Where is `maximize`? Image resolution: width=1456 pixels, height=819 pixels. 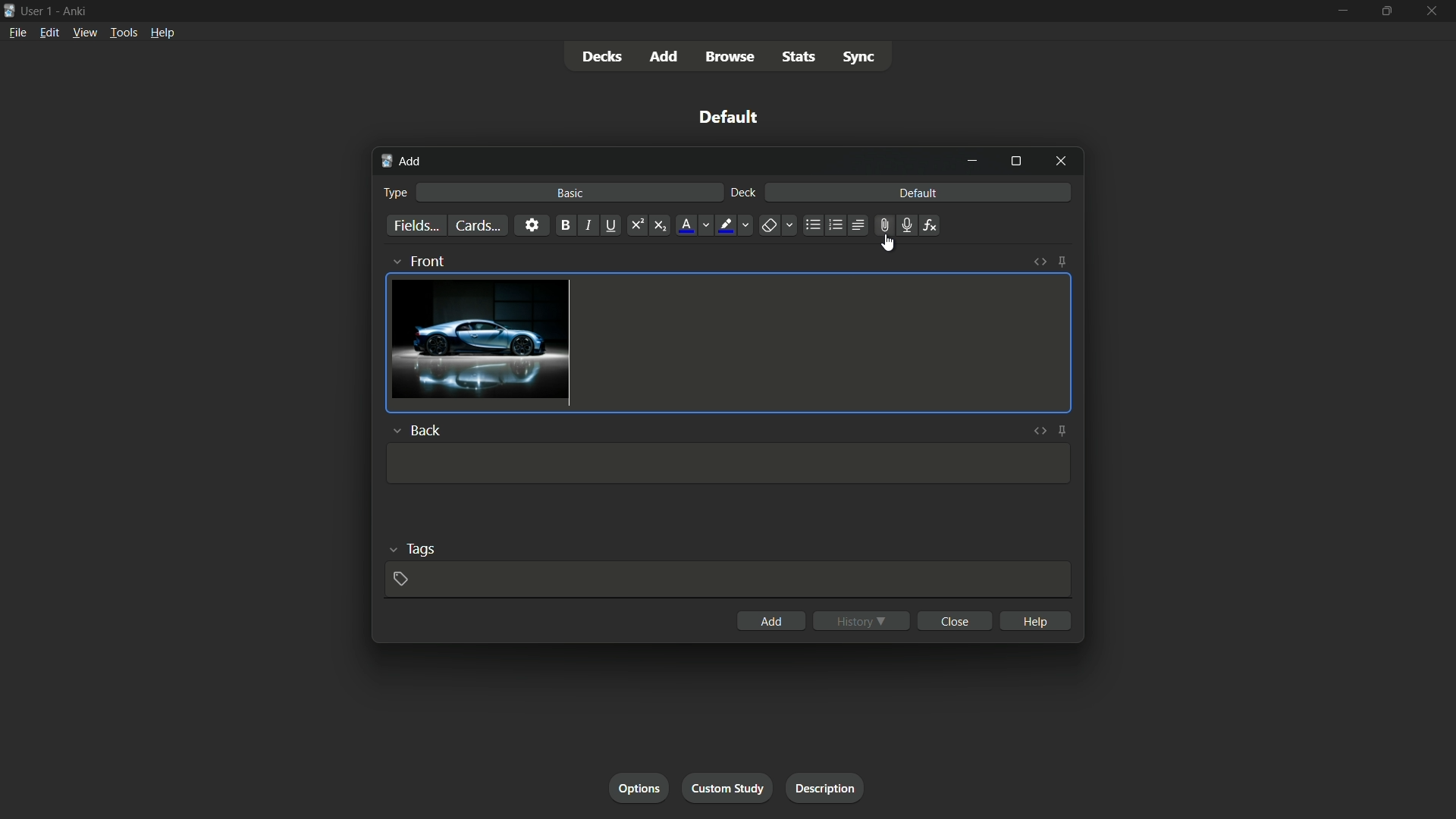
maximize is located at coordinates (1015, 162).